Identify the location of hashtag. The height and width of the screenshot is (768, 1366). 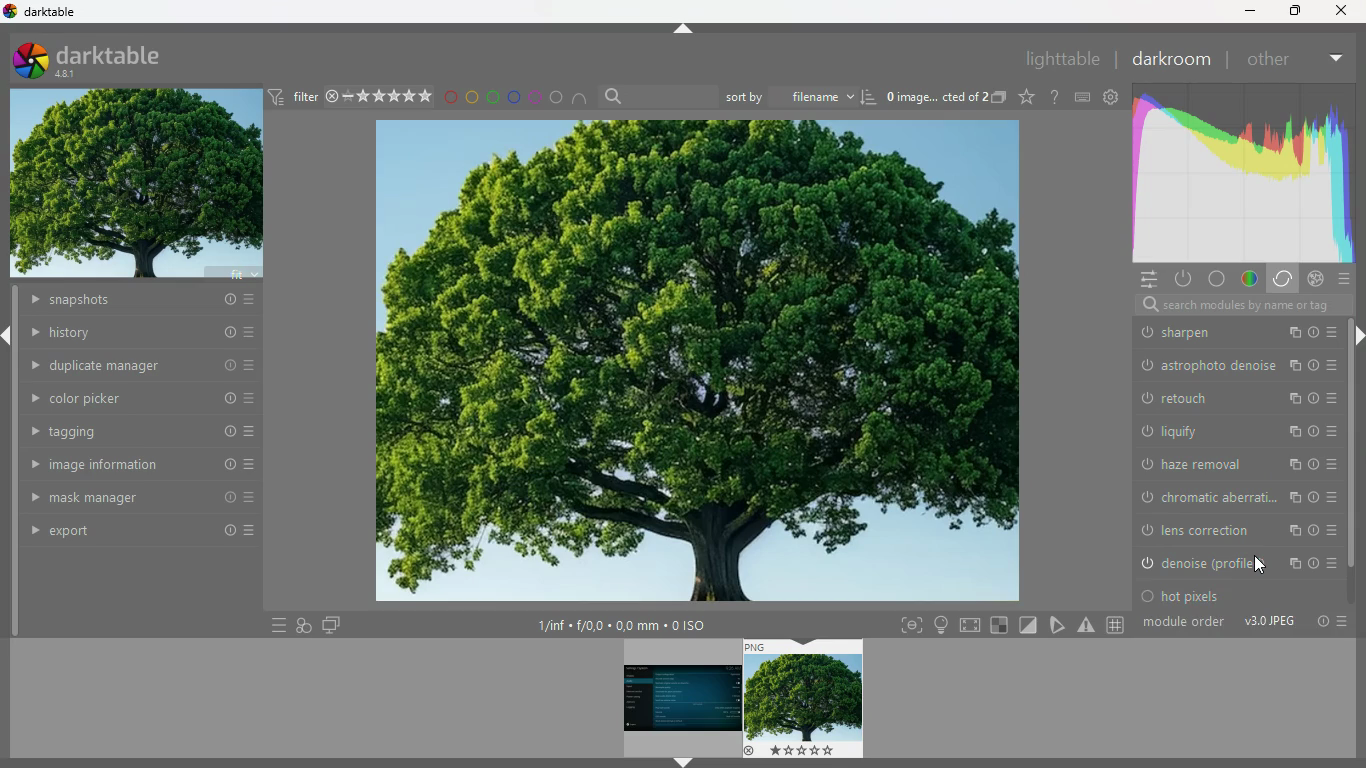
(1116, 623).